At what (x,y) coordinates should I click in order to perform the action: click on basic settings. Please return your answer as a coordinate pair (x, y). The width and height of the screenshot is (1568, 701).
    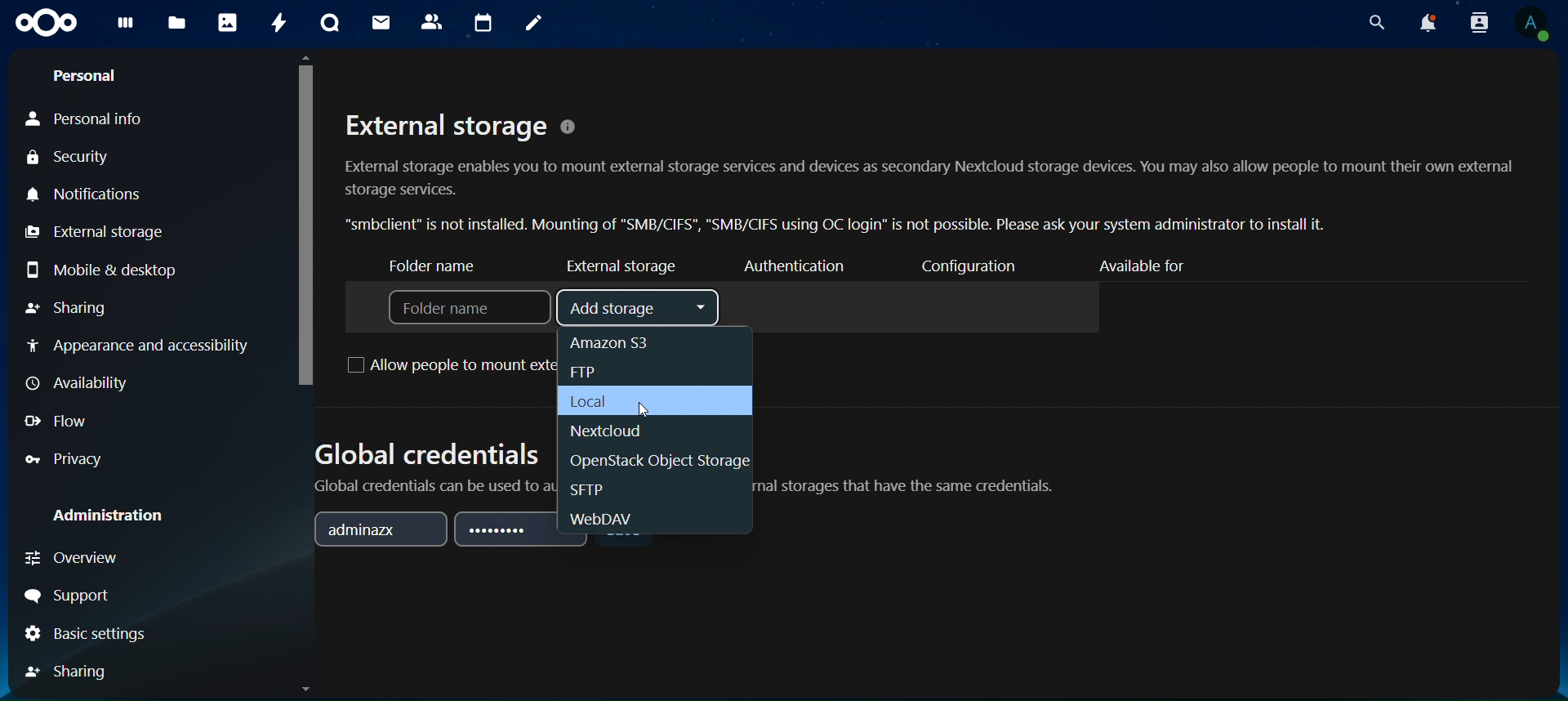
    Looking at the image, I should click on (88, 633).